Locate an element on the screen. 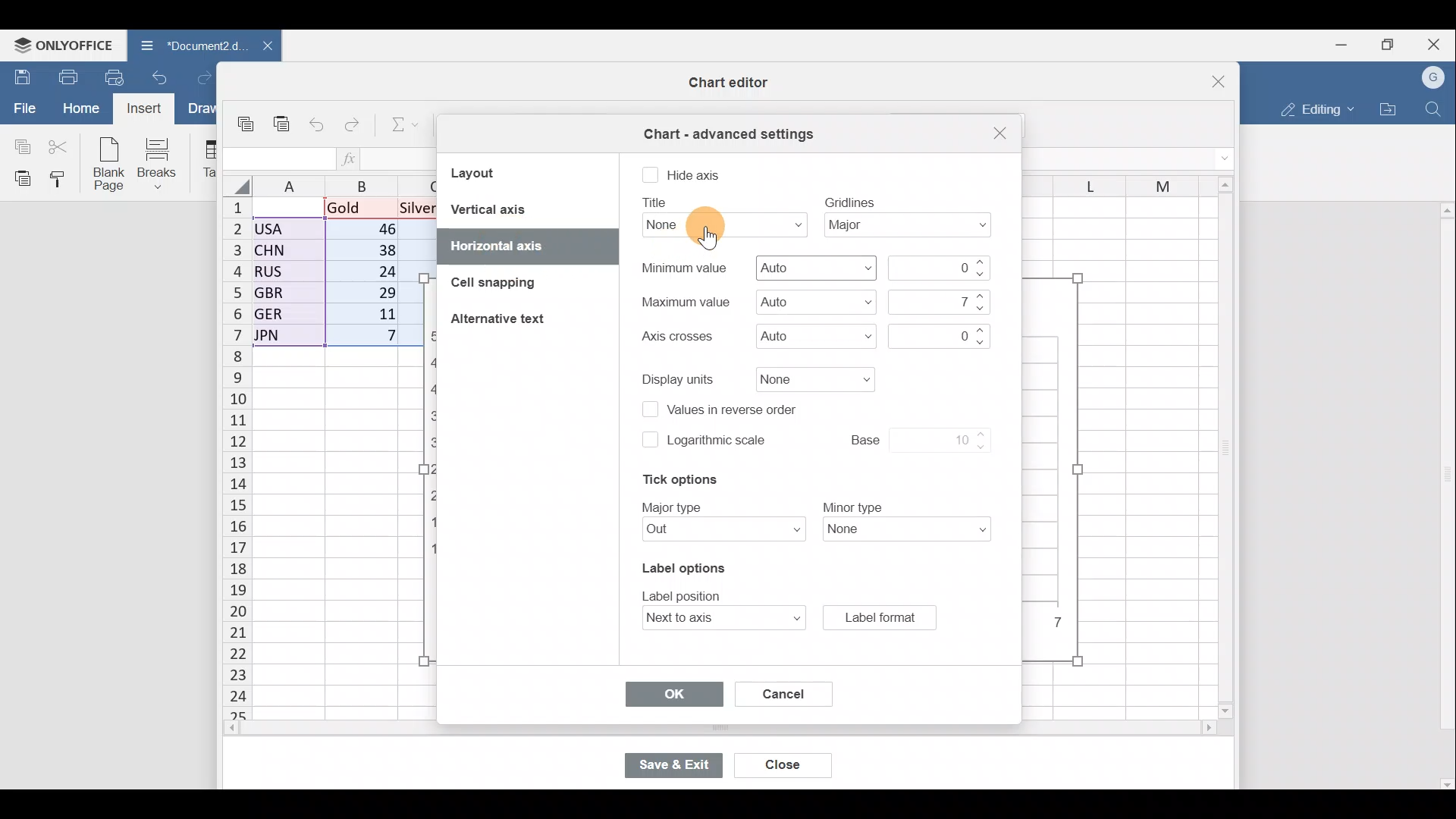 The width and height of the screenshot is (1456, 819). Label position is located at coordinates (710, 619).